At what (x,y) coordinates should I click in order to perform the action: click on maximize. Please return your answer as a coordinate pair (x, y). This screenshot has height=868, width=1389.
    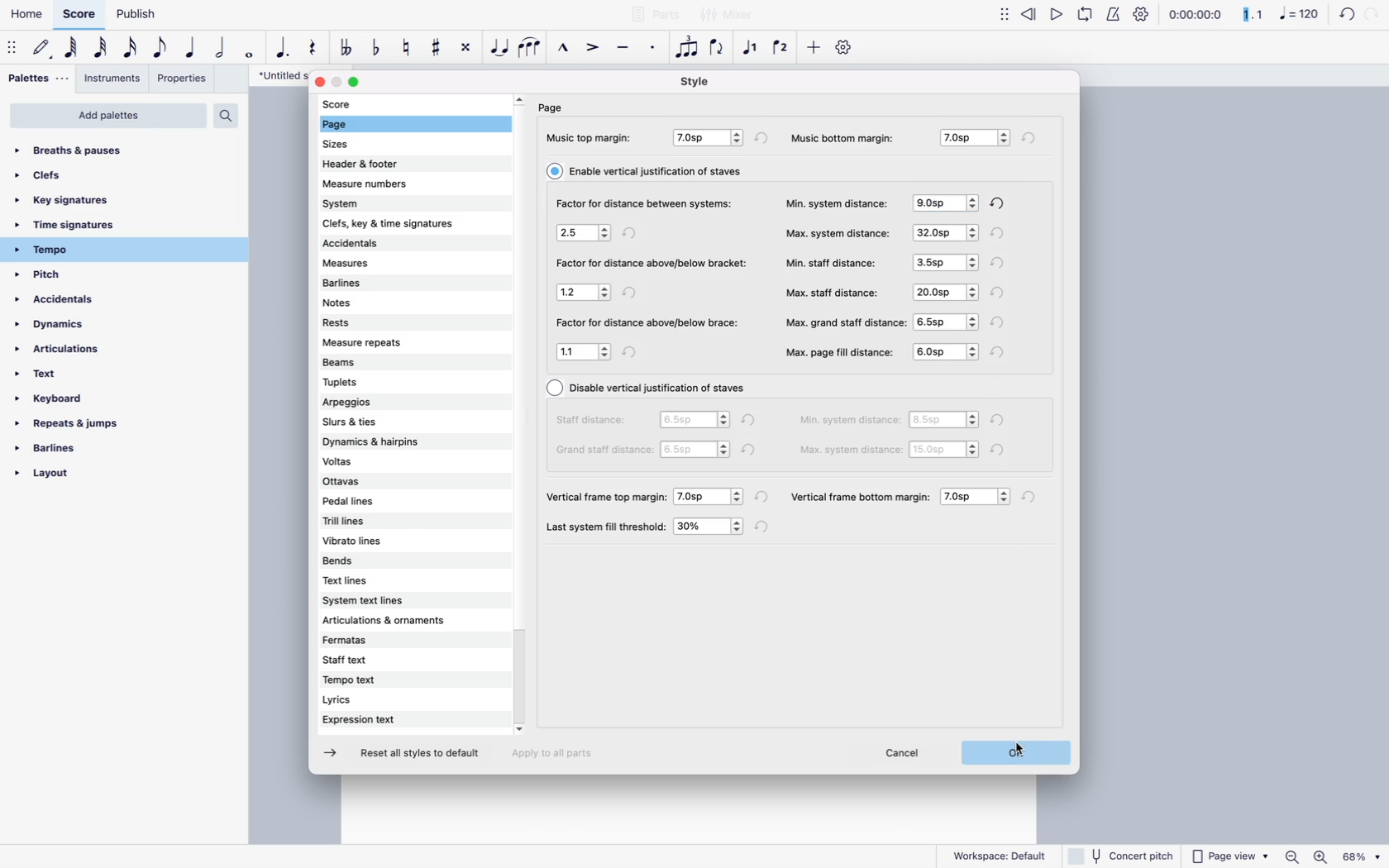
    Looking at the image, I should click on (356, 83).